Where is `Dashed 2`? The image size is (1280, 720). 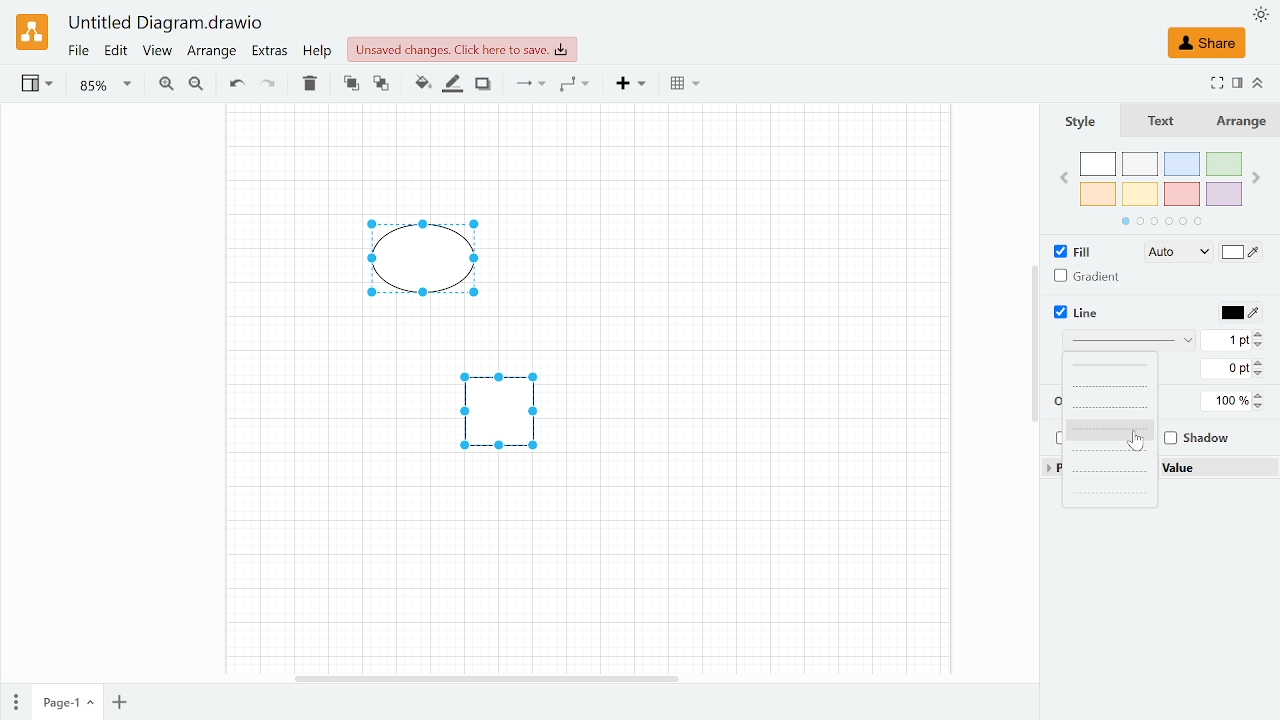 Dashed 2 is located at coordinates (1109, 408).